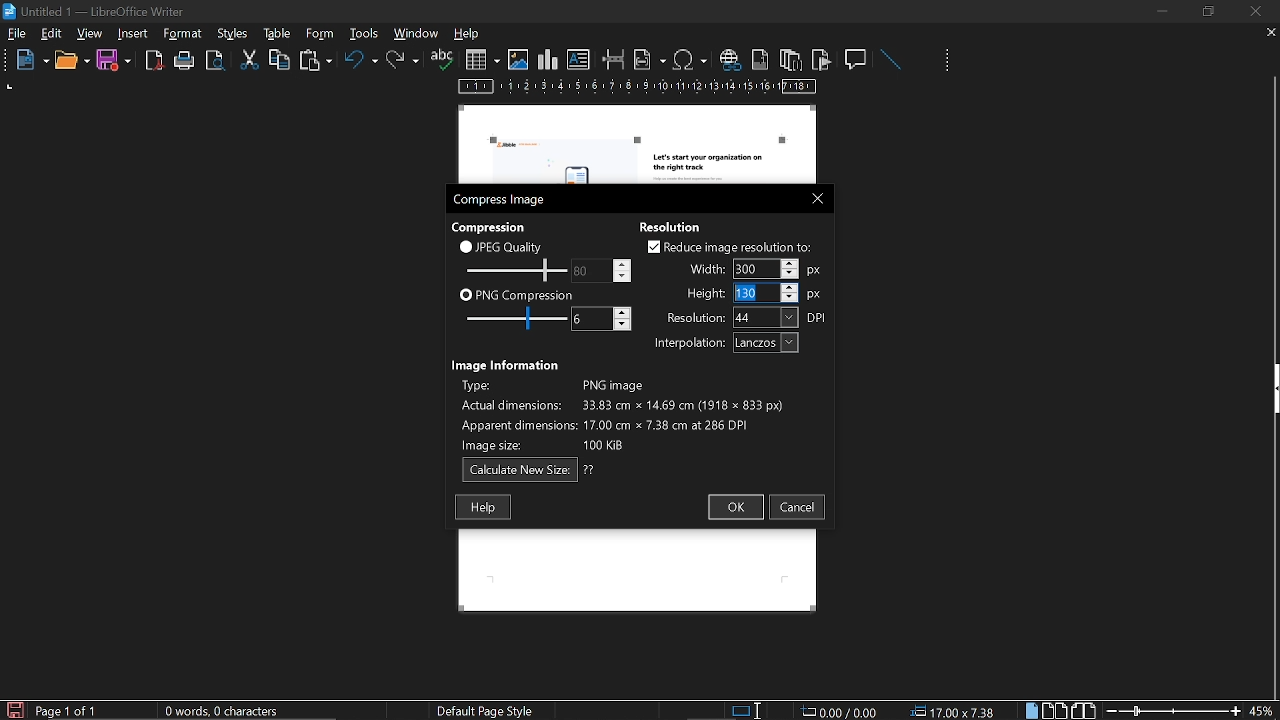 Image resolution: width=1280 pixels, height=720 pixels. Describe the element at coordinates (752, 268) in the screenshot. I see `width change` at that location.